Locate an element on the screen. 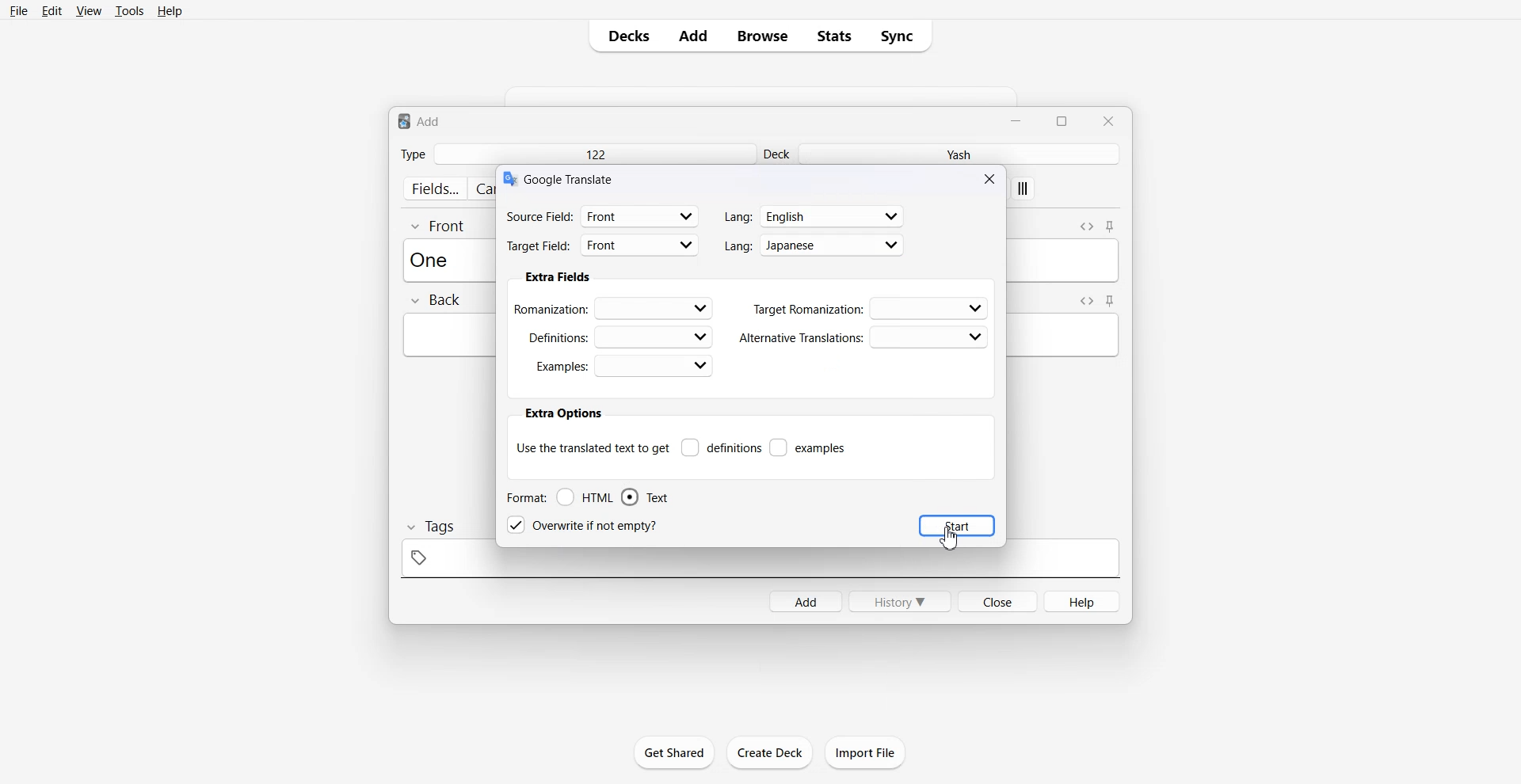 This screenshot has height=784, width=1521. Language is located at coordinates (814, 244).